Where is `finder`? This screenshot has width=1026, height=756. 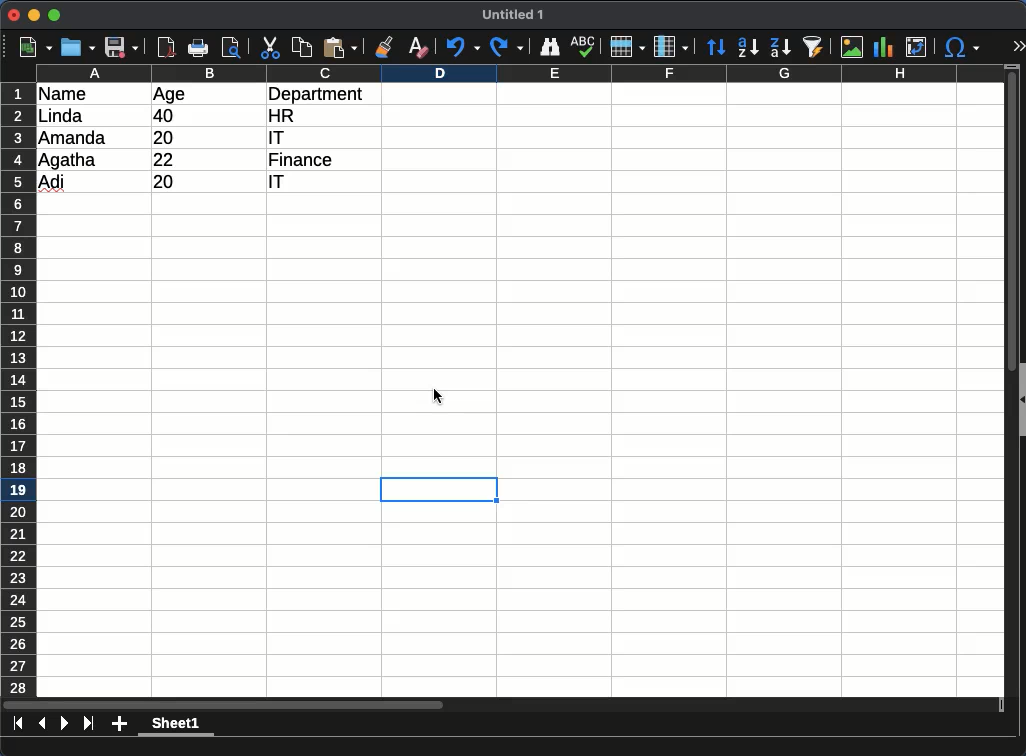
finder is located at coordinates (552, 47).